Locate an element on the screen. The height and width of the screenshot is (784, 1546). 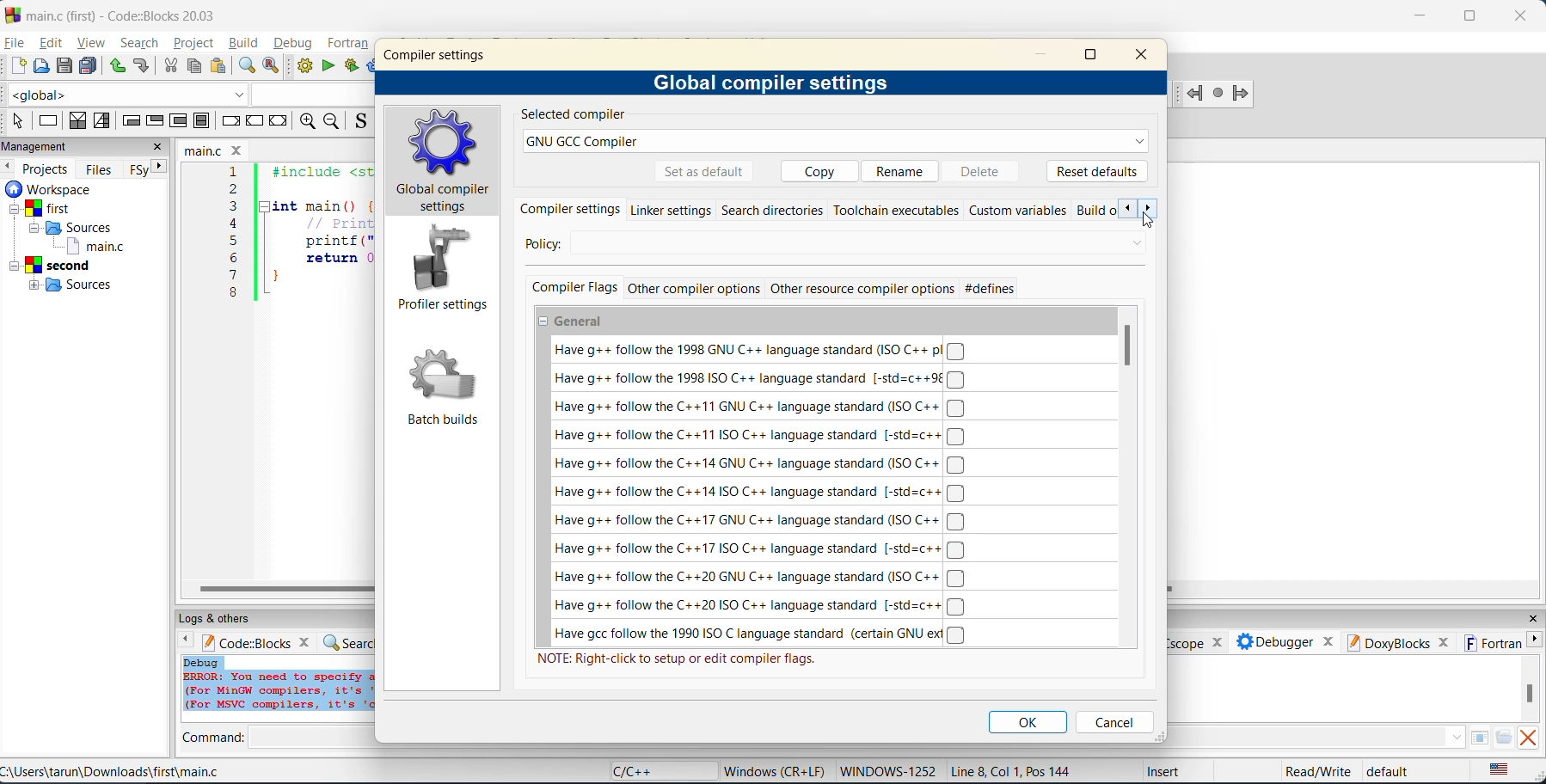
reset defaults is located at coordinates (1097, 170).